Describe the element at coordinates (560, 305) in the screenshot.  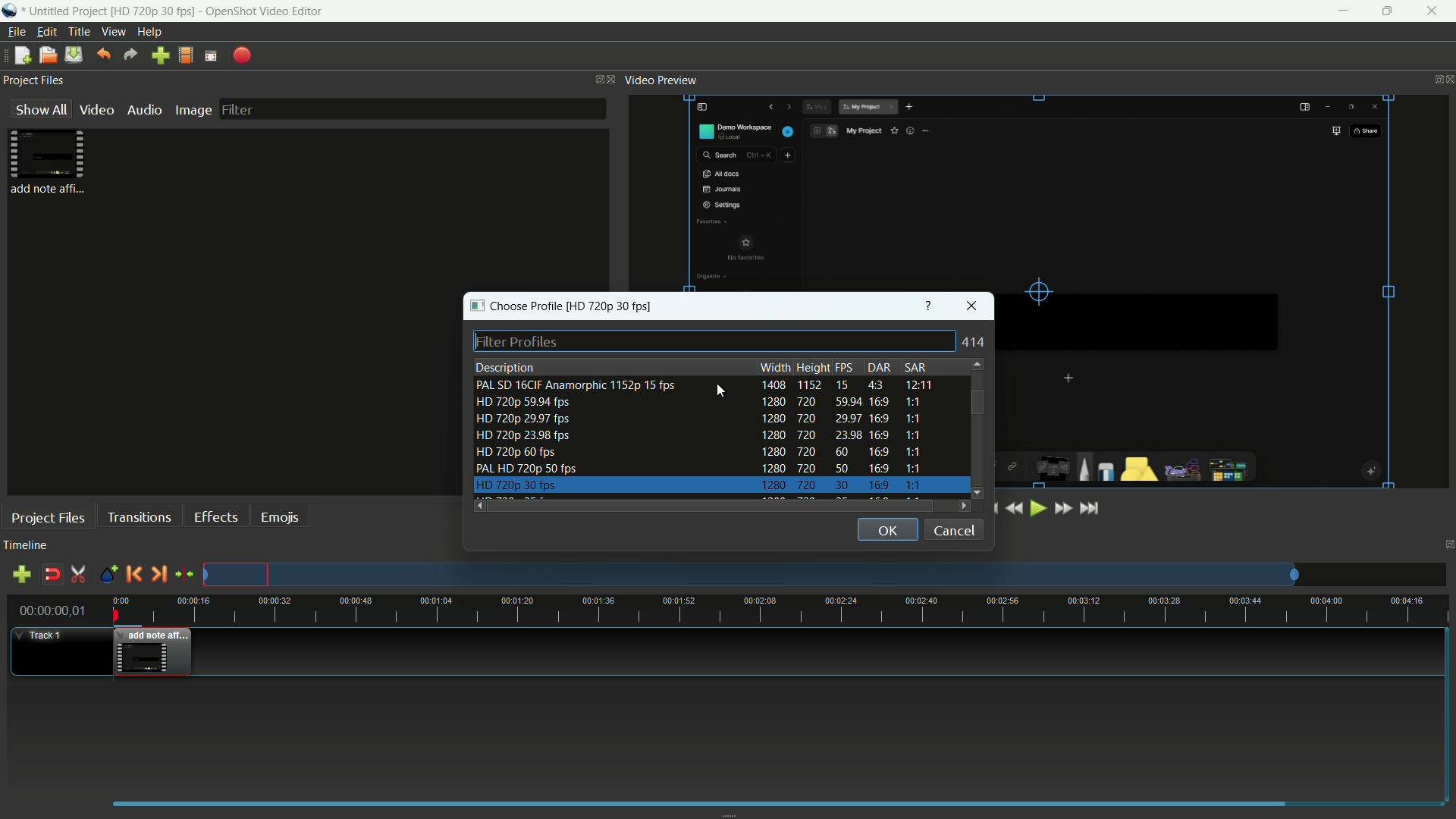
I see `choose profile` at that location.